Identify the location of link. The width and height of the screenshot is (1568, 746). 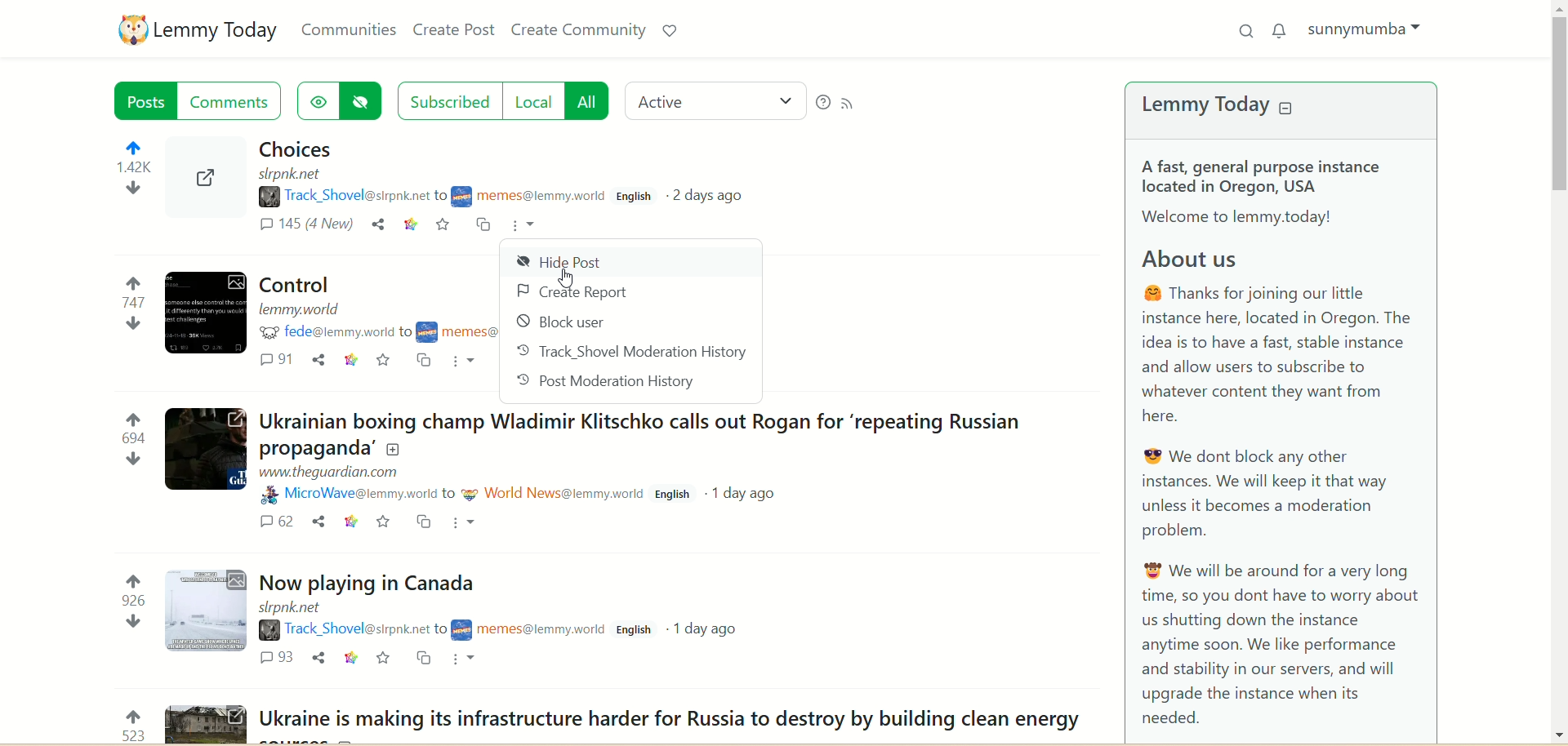
(409, 225).